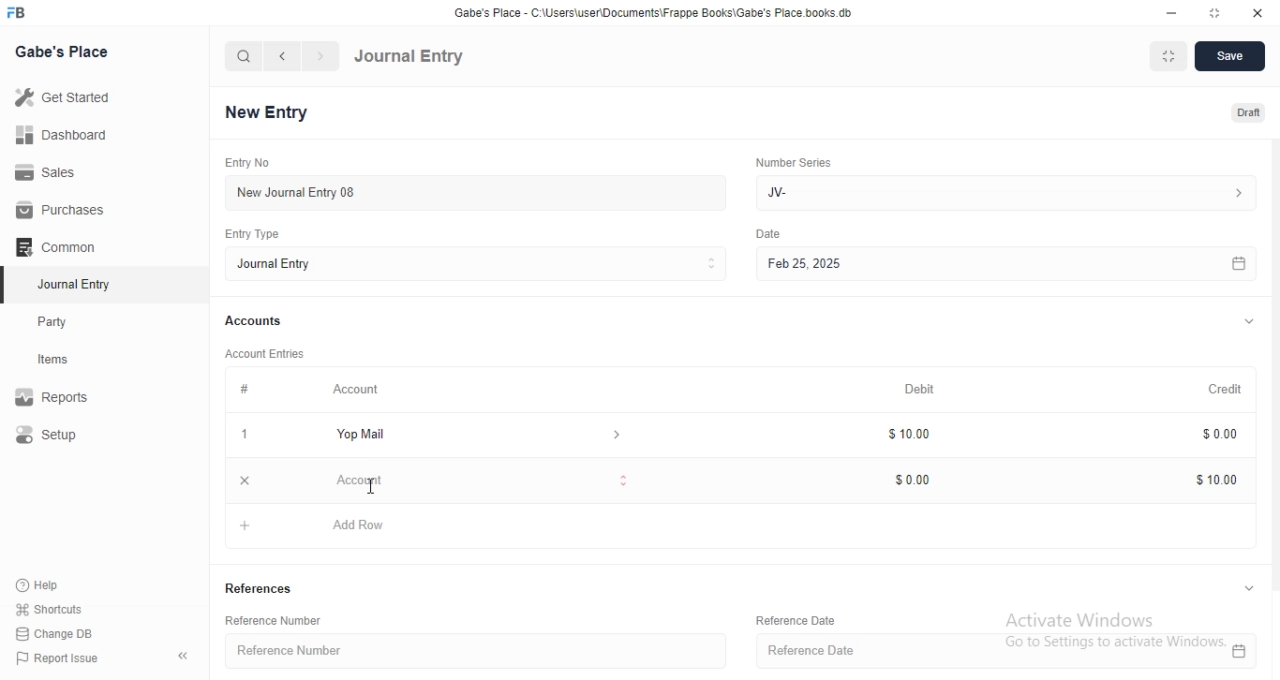 The image size is (1280, 680). I want to click on New Journal Entry 08, so click(470, 192).